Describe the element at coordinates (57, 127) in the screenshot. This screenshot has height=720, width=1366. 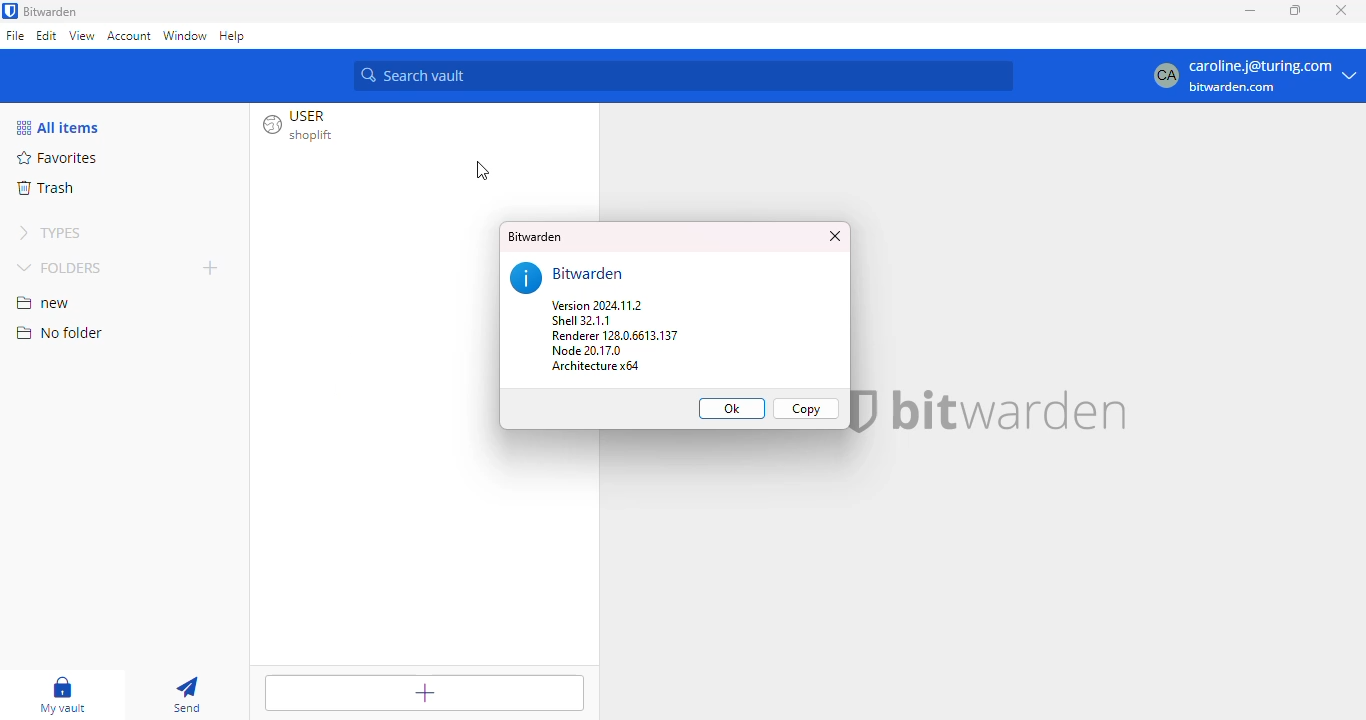
I see `all items` at that location.